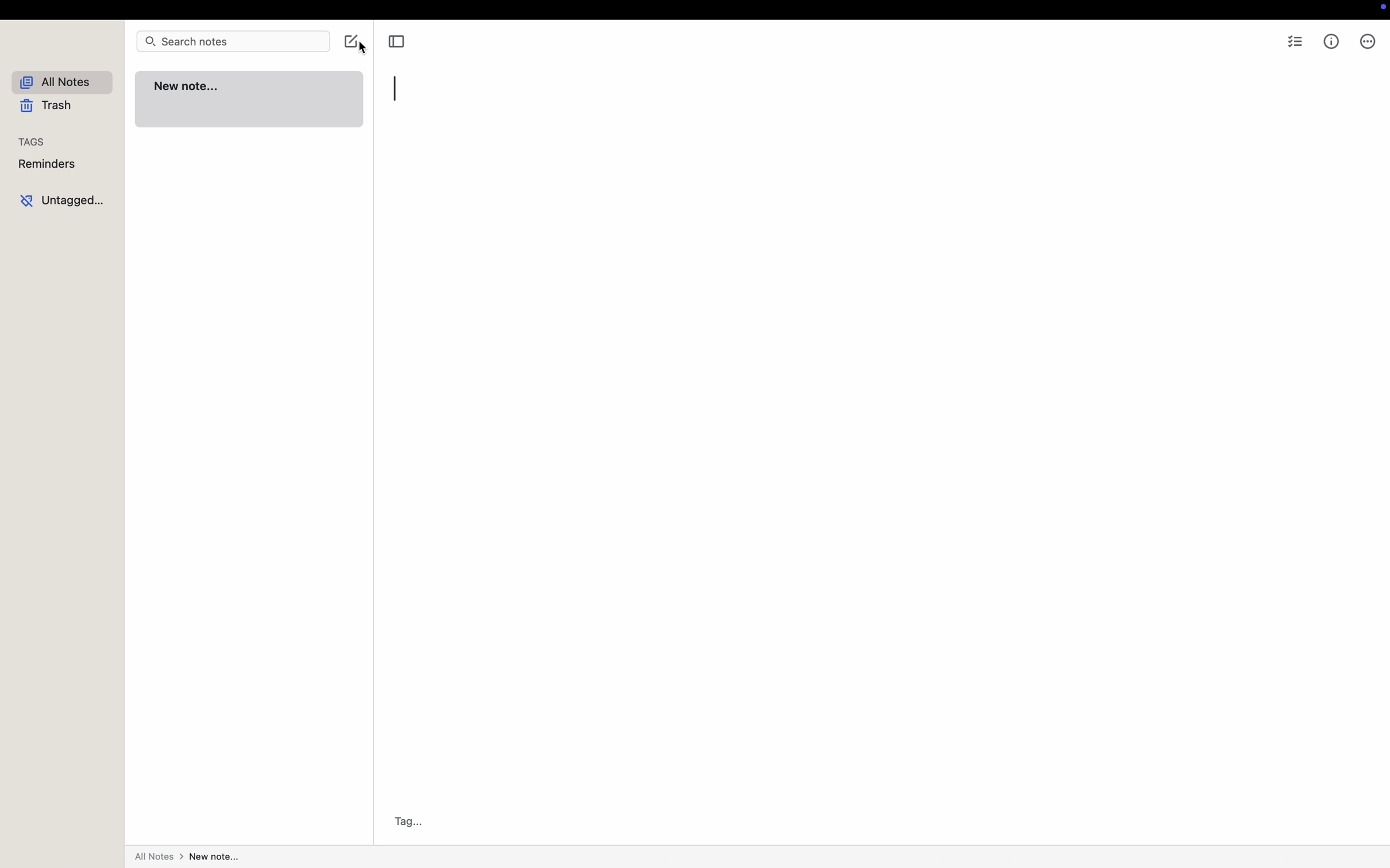 The height and width of the screenshot is (868, 1390). Describe the element at coordinates (395, 86) in the screenshot. I see `typing prompt` at that location.